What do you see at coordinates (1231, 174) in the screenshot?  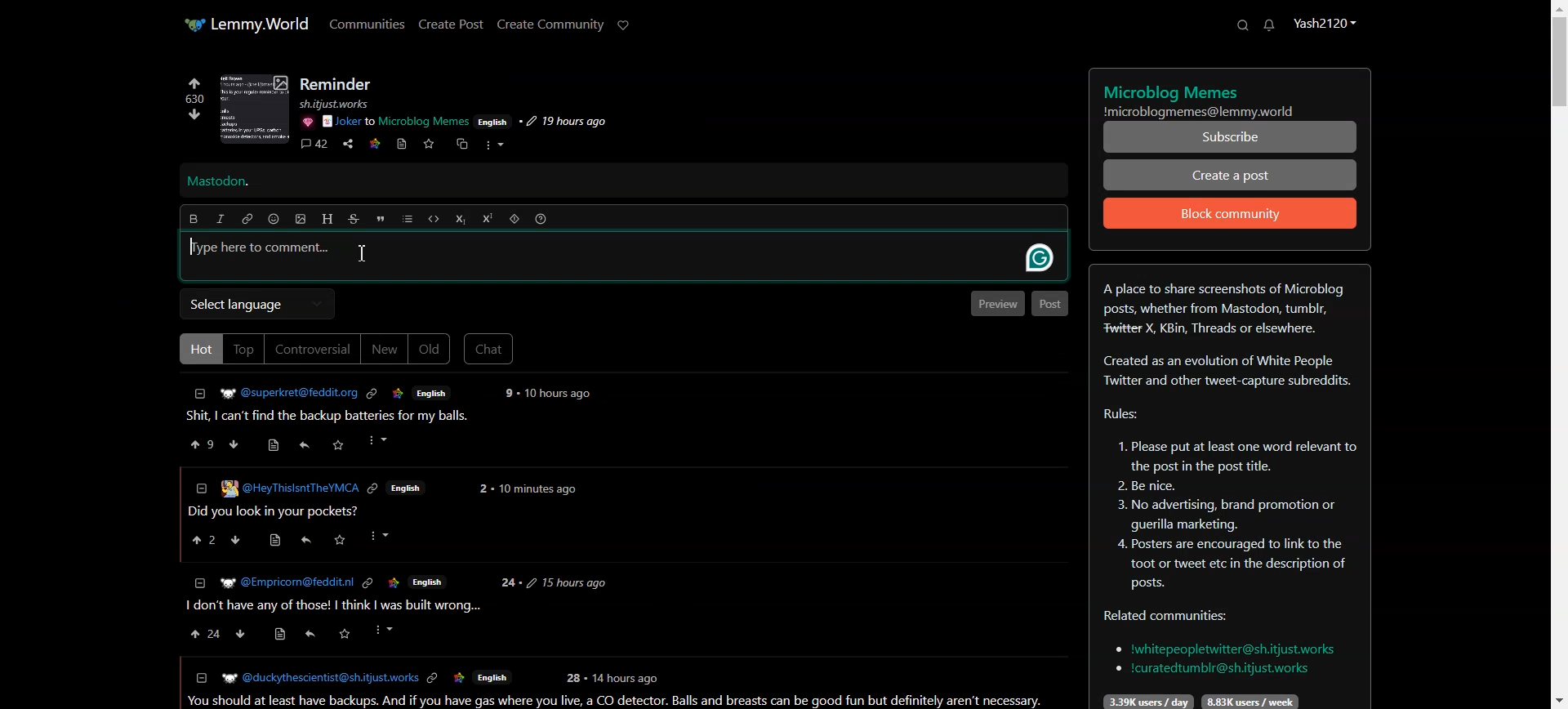 I see `Create a post` at bounding box center [1231, 174].